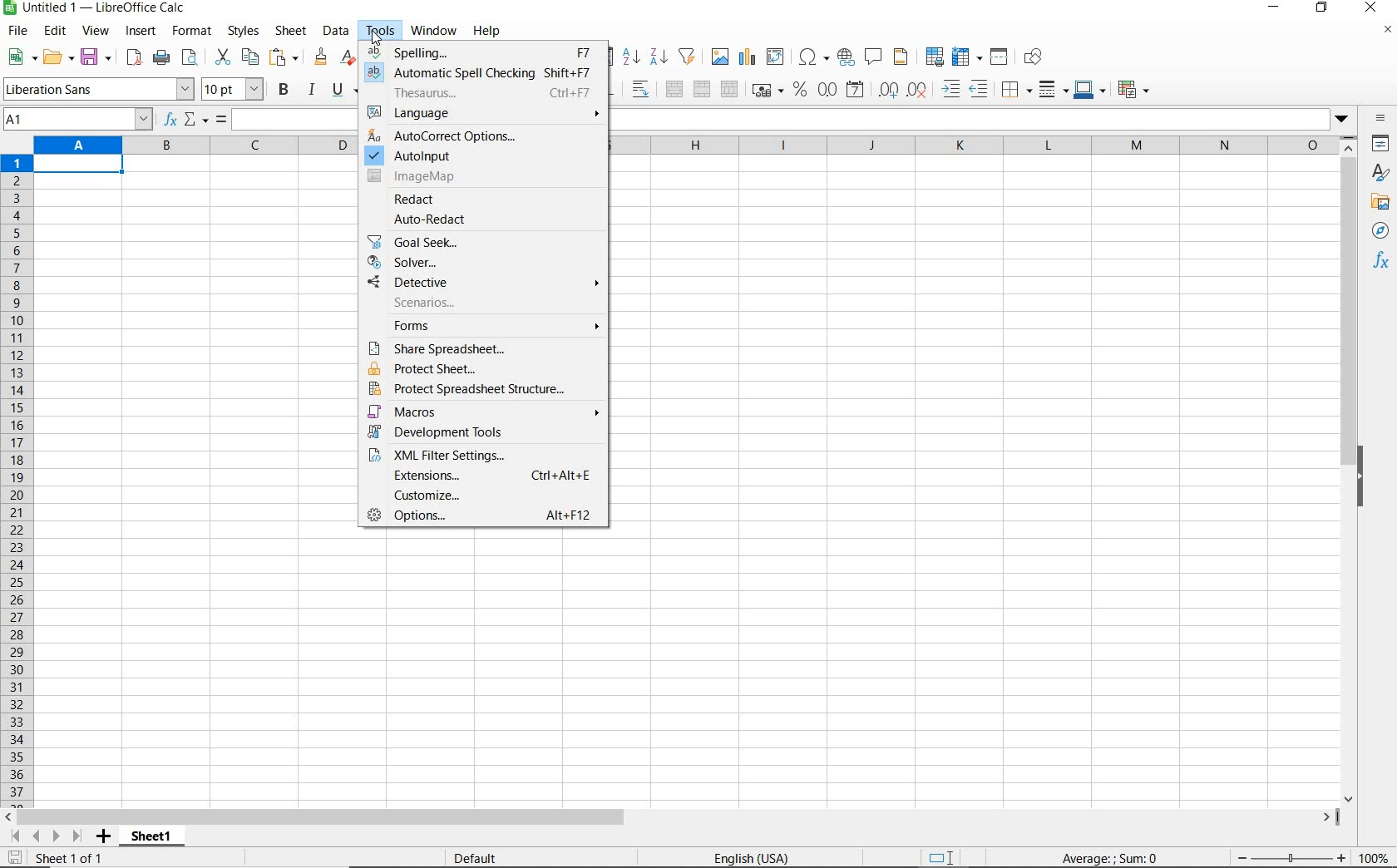 Image resolution: width=1397 pixels, height=868 pixels. What do you see at coordinates (311, 91) in the screenshot?
I see `italic` at bounding box center [311, 91].